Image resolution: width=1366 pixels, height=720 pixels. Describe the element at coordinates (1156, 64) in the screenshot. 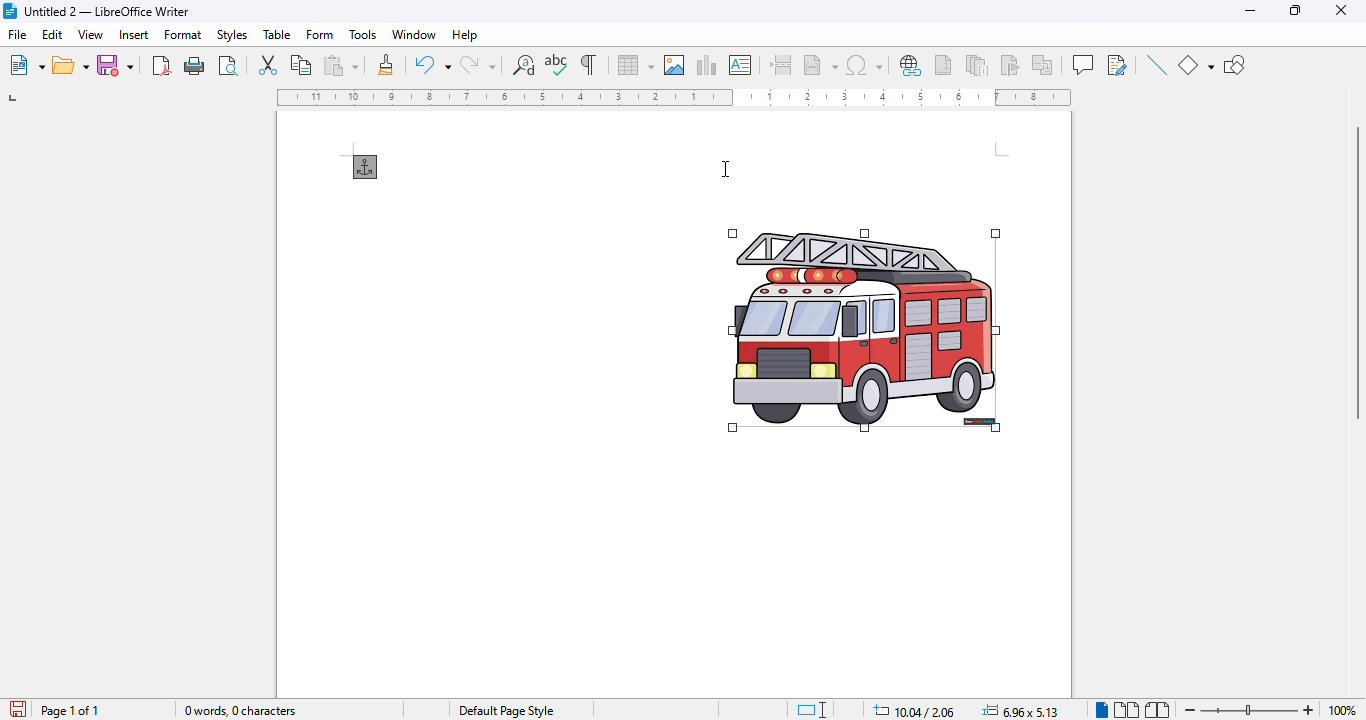

I see `insert line` at that location.